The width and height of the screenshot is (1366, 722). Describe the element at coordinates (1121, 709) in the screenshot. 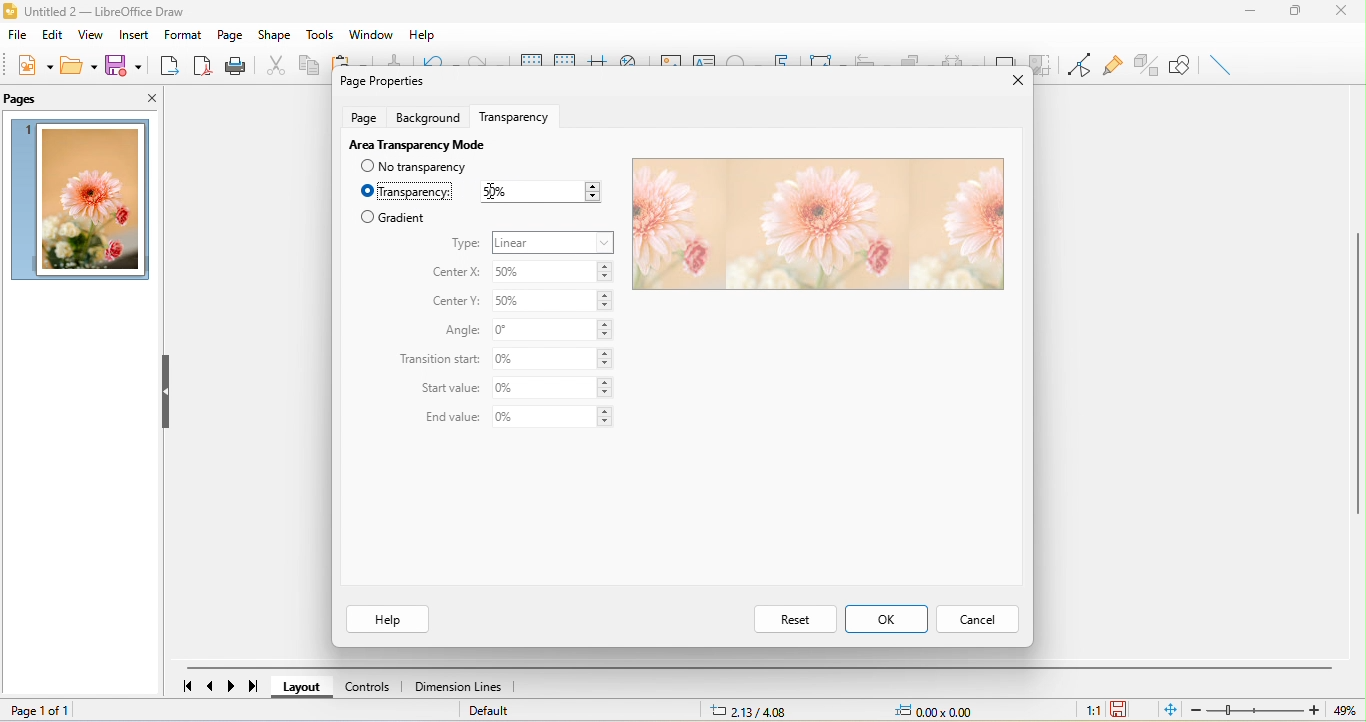

I see `the document has not been modified since the last save` at that location.